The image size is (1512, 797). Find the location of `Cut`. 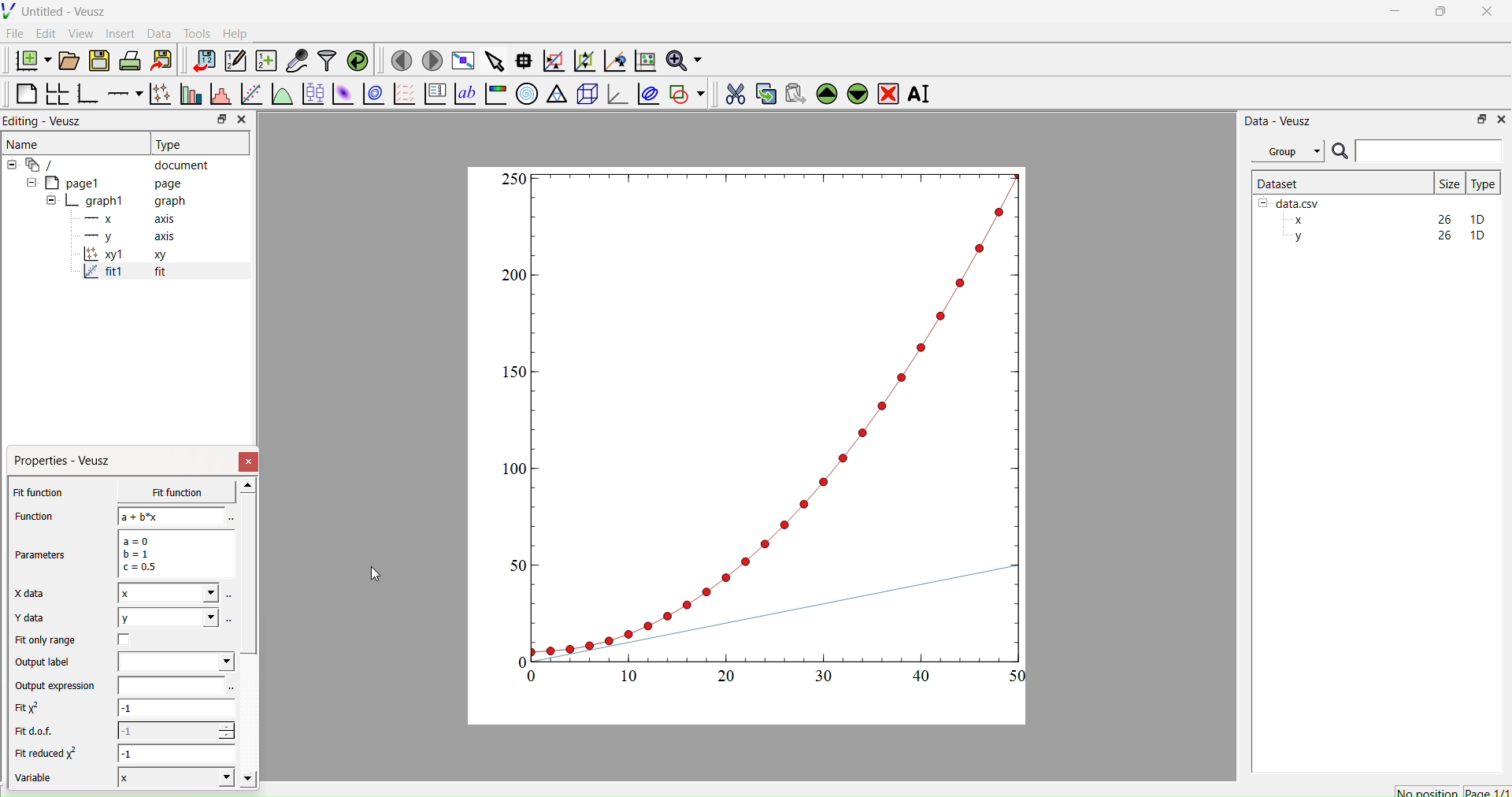

Cut is located at coordinates (730, 91).